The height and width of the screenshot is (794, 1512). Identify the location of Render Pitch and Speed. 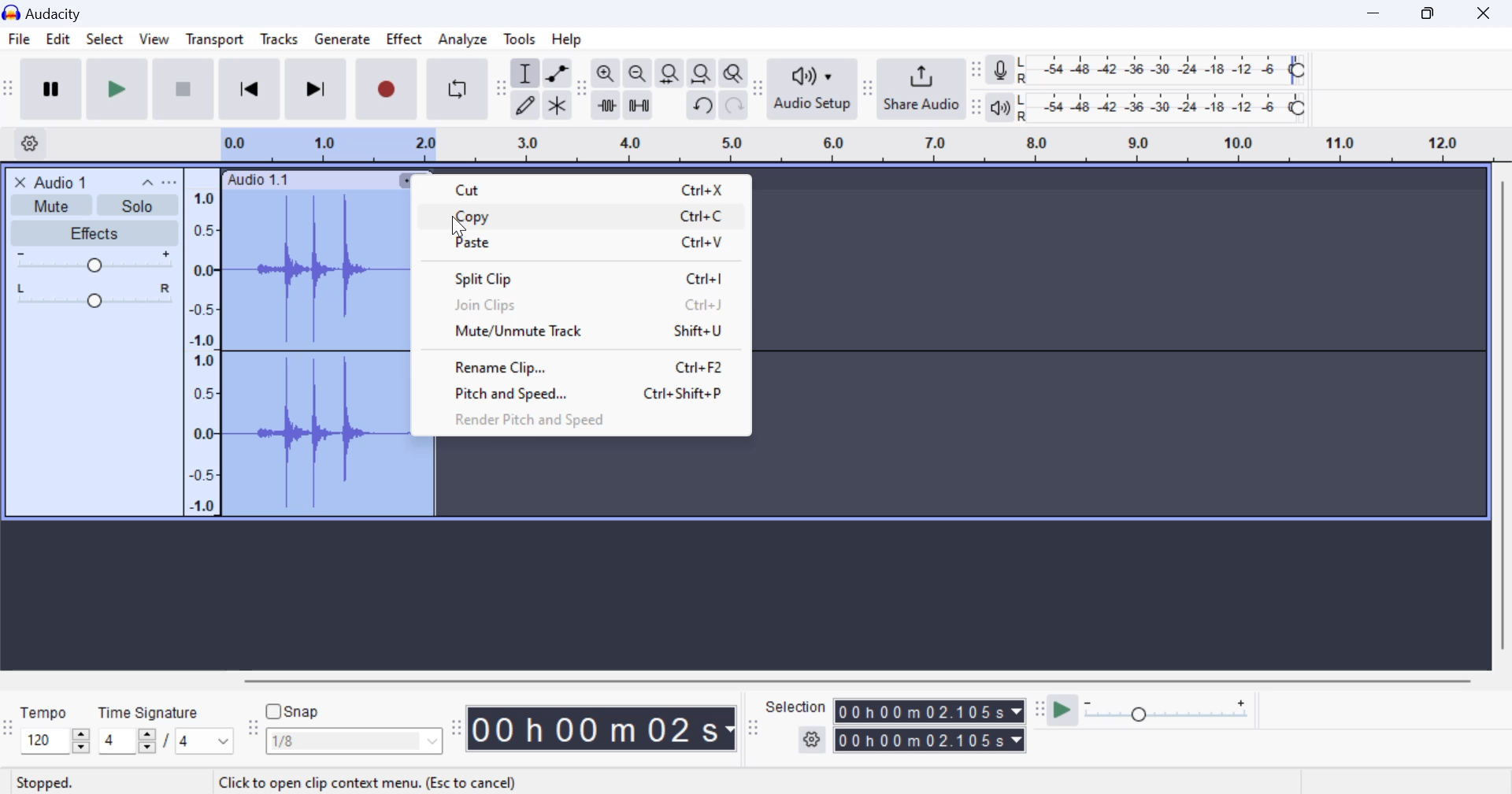
(568, 421).